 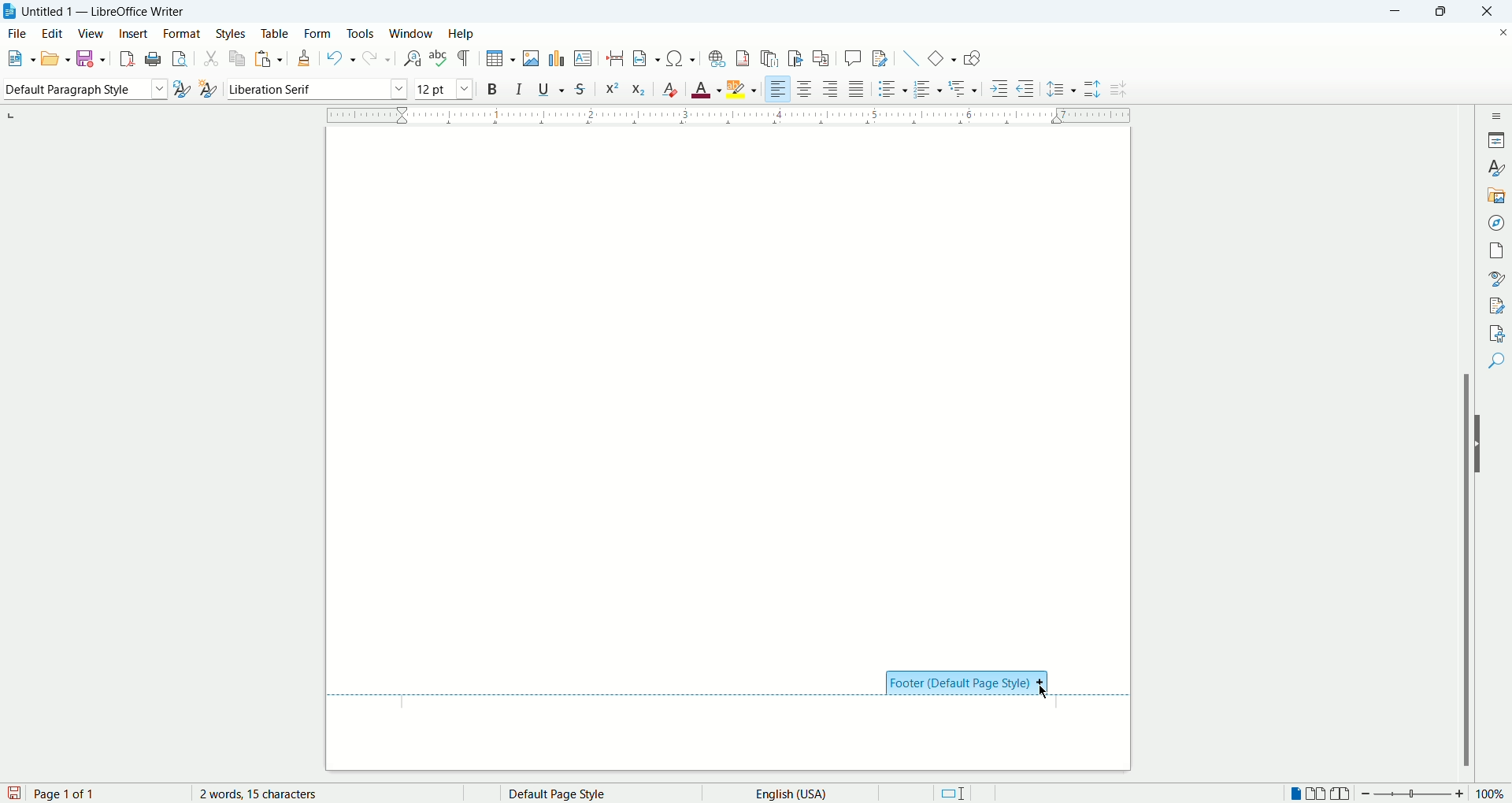 I want to click on word count, so click(x=272, y=794).